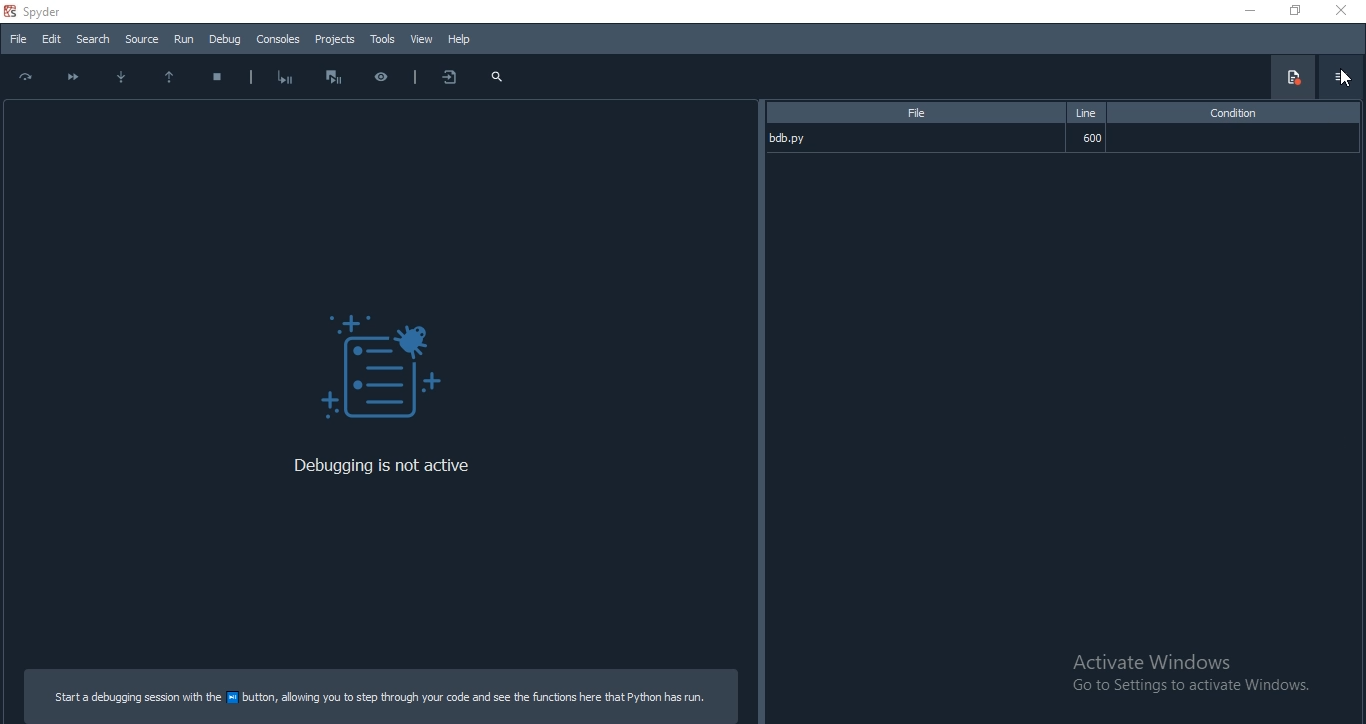  Describe the element at coordinates (92, 39) in the screenshot. I see `Search` at that location.